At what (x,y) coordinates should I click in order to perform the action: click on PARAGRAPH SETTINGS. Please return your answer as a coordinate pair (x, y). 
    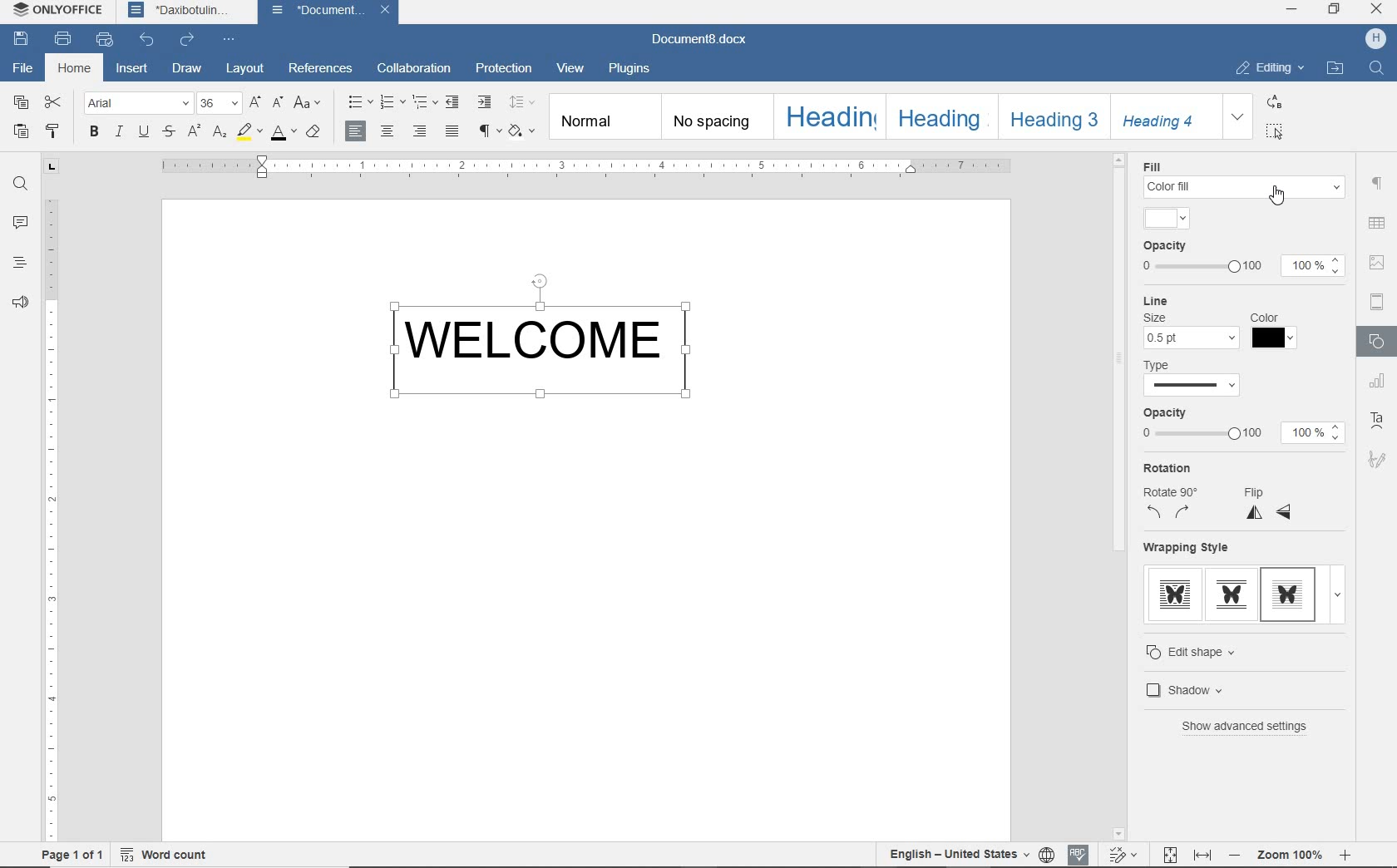
    Looking at the image, I should click on (1377, 185).